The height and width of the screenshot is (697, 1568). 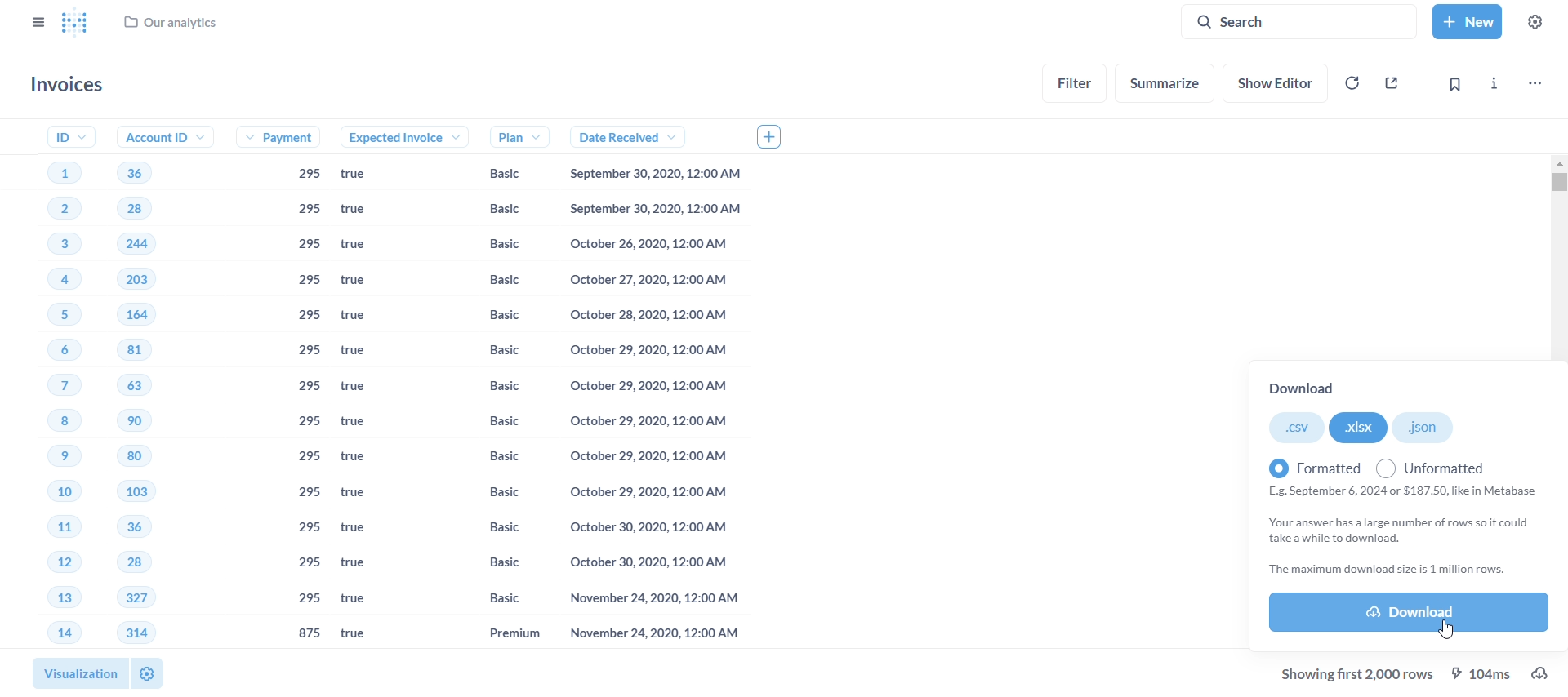 What do you see at coordinates (366, 530) in the screenshot?
I see `true` at bounding box center [366, 530].